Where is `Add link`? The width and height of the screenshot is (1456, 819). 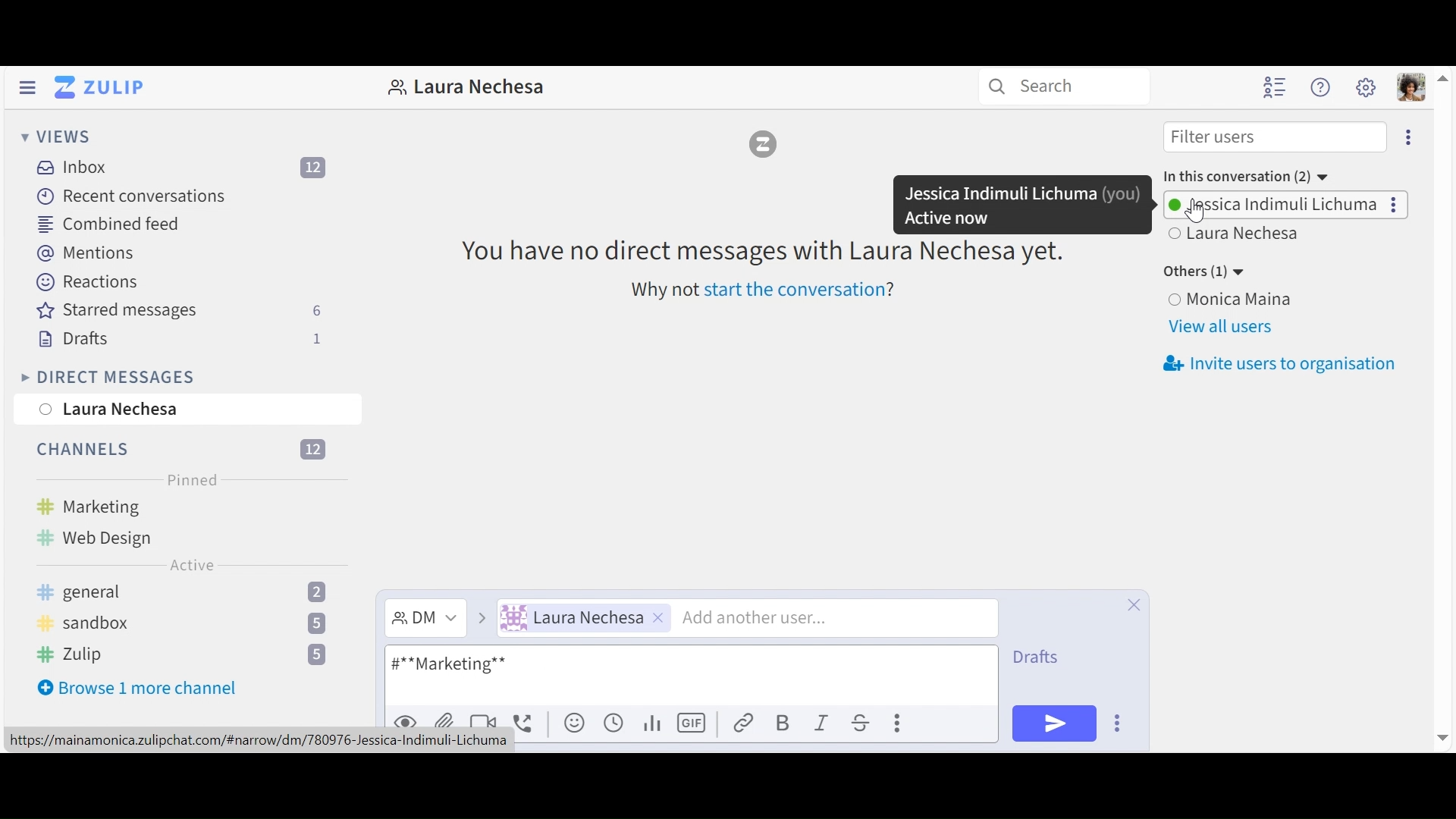
Add link is located at coordinates (745, 722).